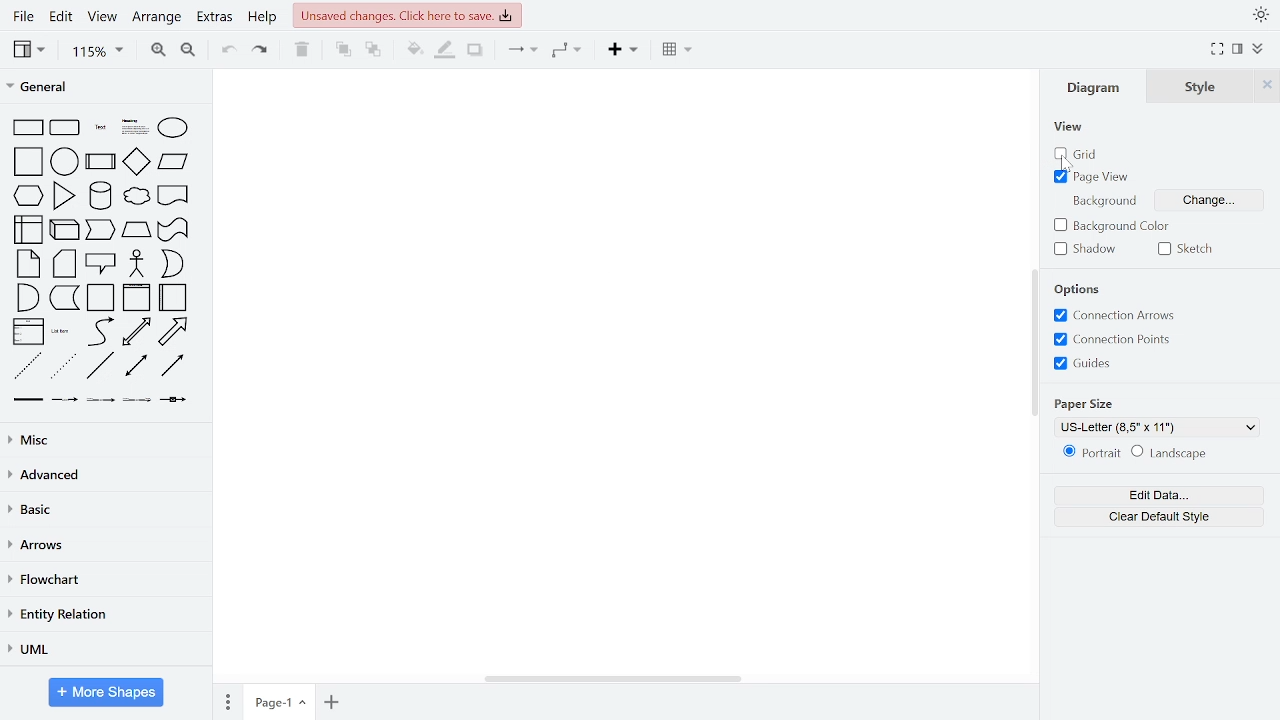 This screenshot has width=1280, height=720. Describe the element at coordinates (172, 330) in the screenshot. I see `arrow` at that location.